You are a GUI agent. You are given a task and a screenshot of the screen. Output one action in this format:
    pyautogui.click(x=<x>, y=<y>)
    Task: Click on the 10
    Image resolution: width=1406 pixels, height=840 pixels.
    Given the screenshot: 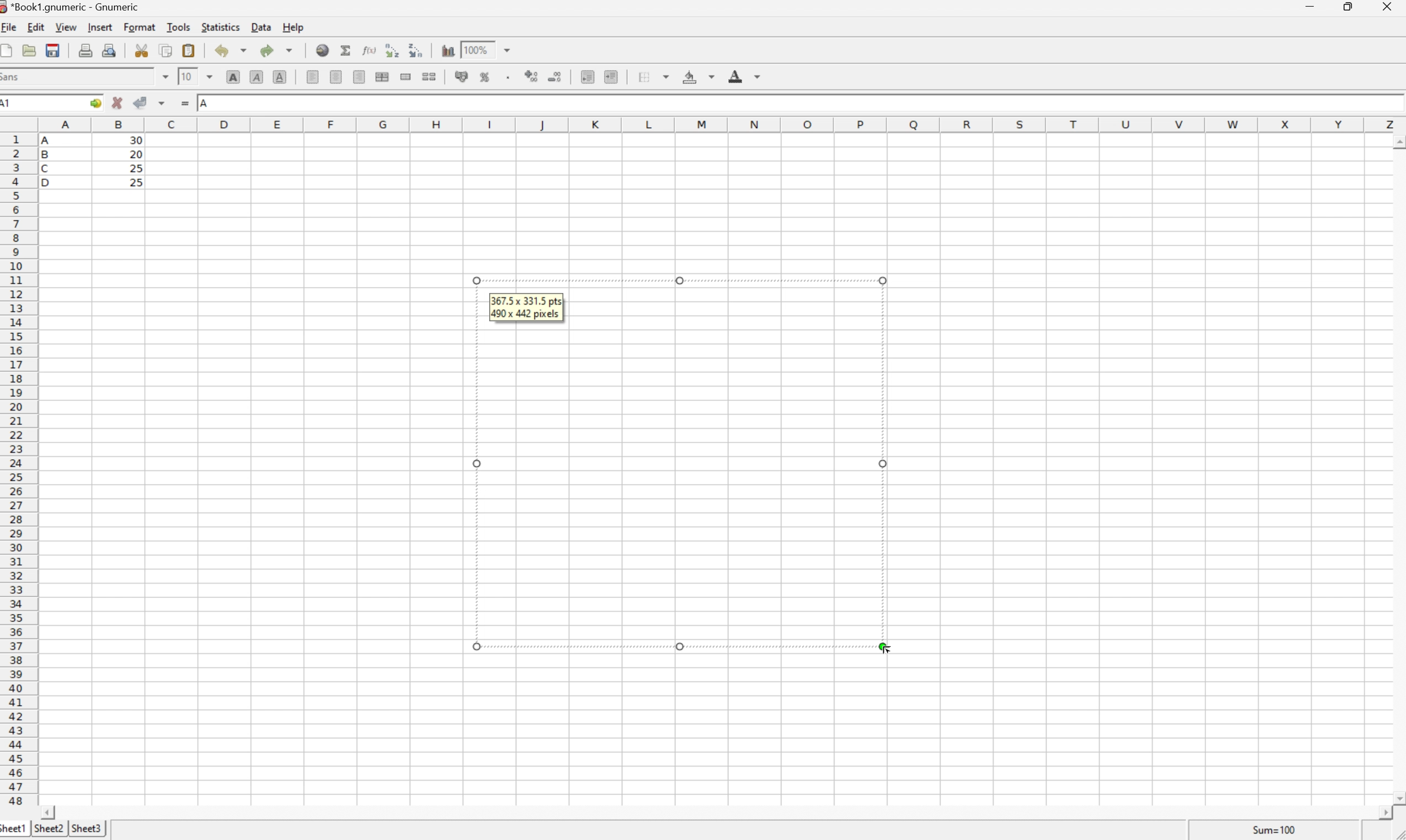 What is the action you would take?
    pyautogui.click(x=187, y=76)
    